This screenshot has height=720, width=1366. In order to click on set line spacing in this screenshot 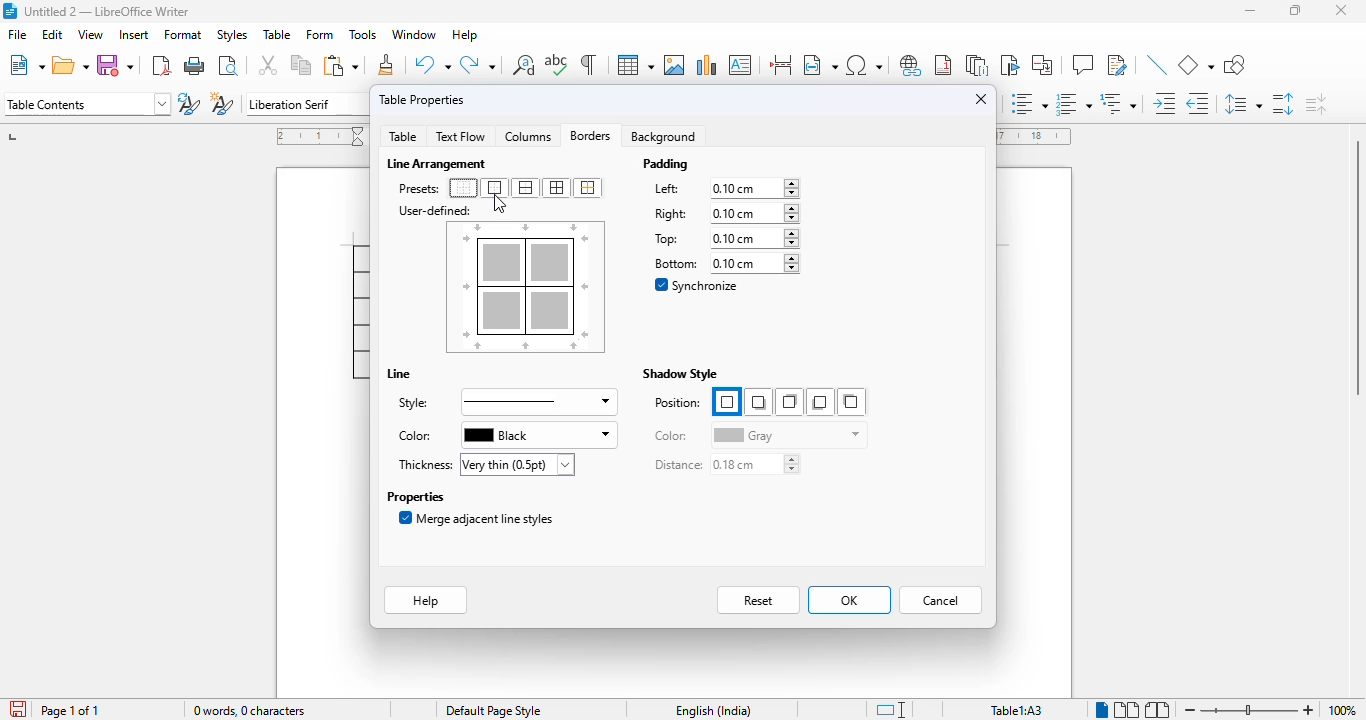, I will do `click(1243, 104)`.